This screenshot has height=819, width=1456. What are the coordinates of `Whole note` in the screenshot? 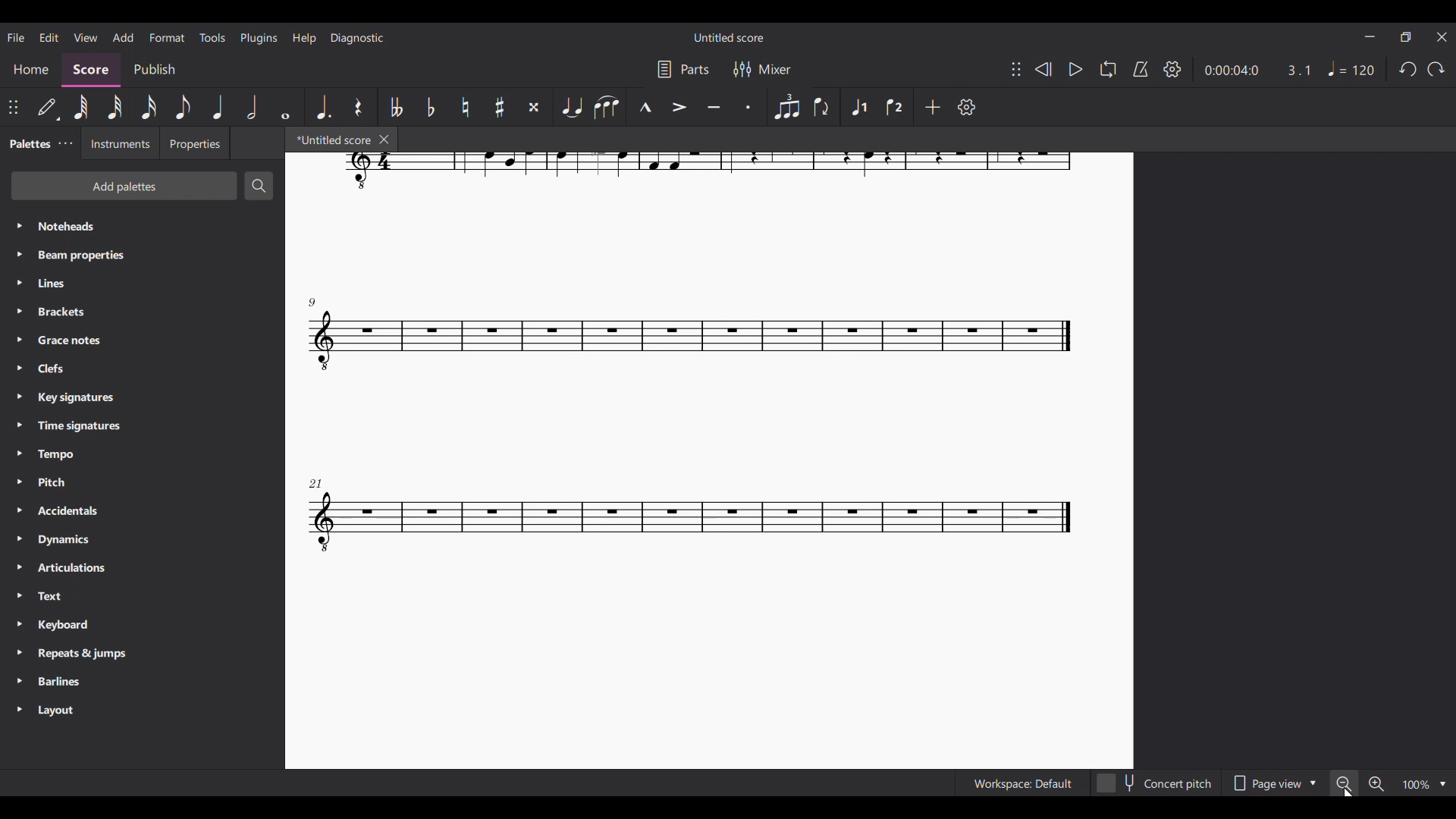 It's located at (286, 107).